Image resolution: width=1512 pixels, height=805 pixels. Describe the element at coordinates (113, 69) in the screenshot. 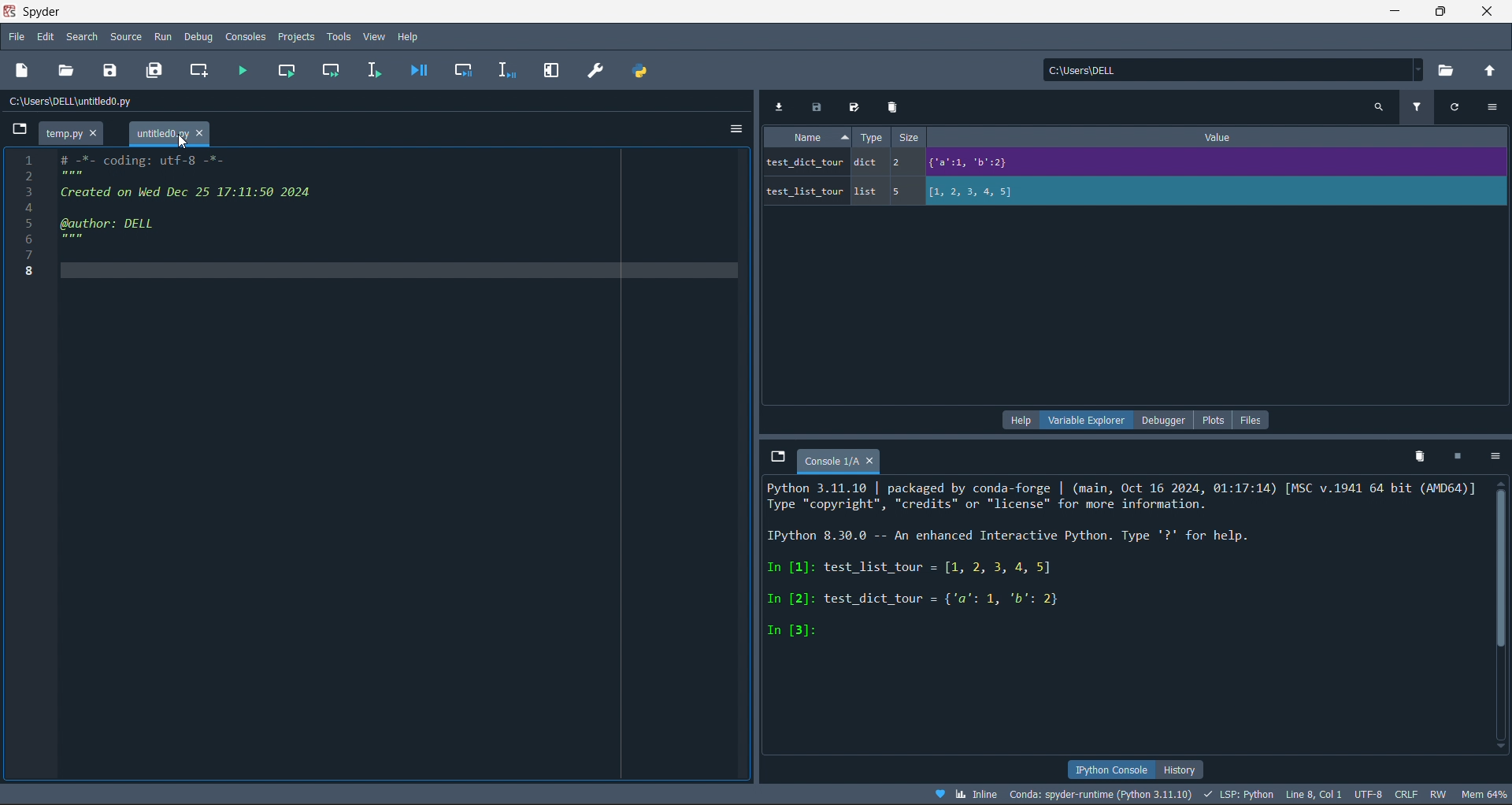

I see `save` at that location.